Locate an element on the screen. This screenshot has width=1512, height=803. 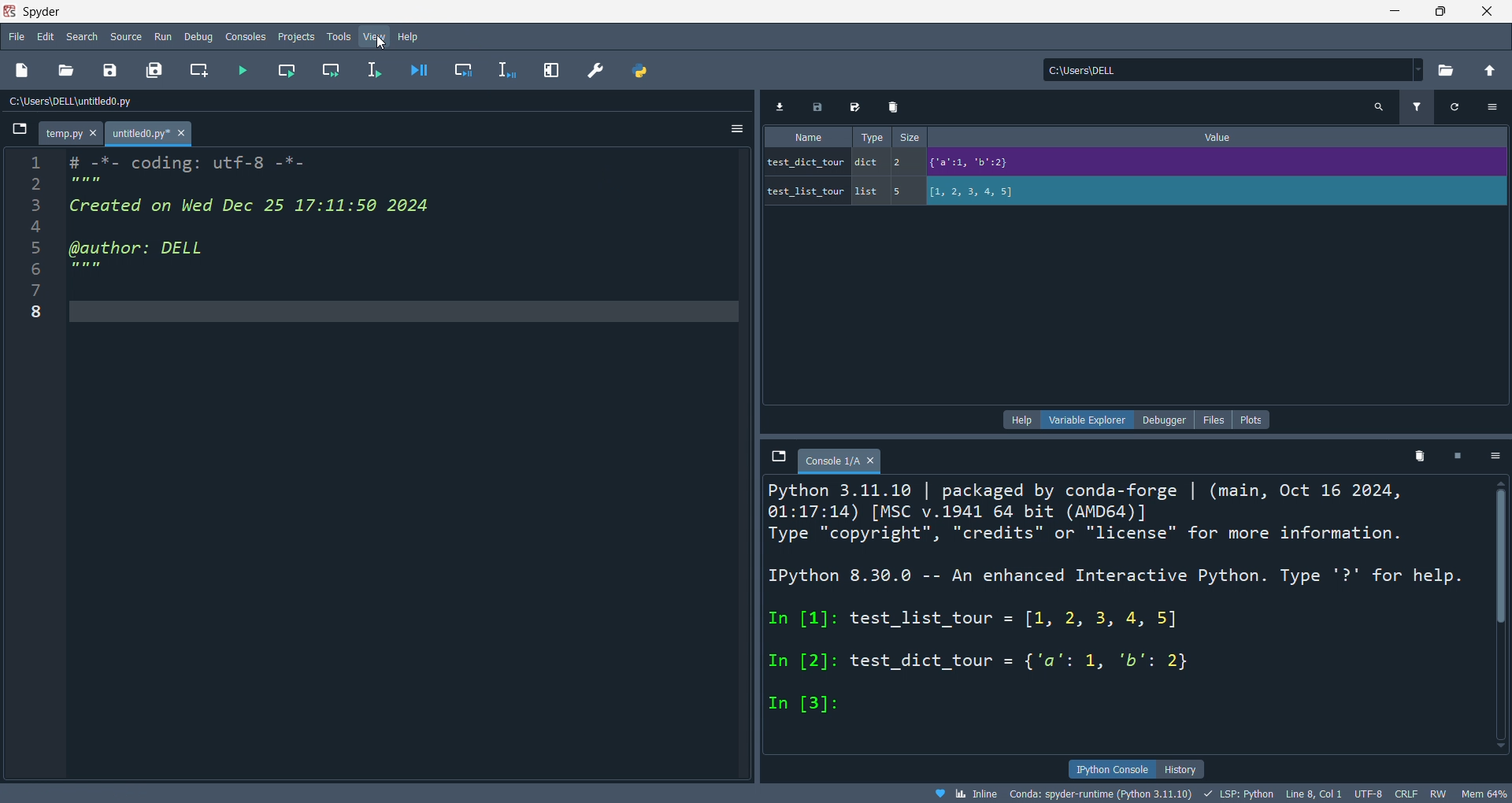
variable explorer is located at coordinates (1091, 419).